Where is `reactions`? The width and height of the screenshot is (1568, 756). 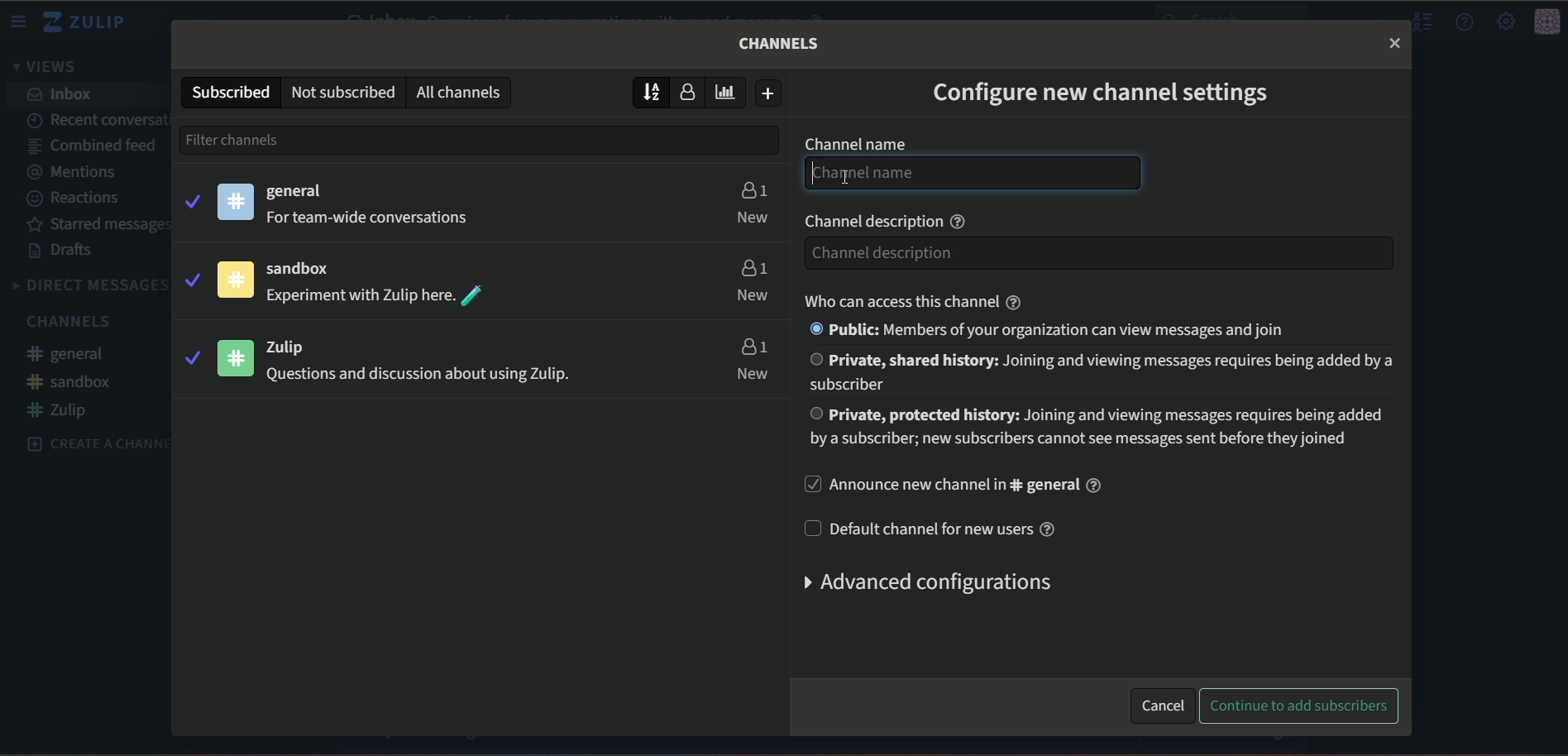 reactions is located at coordinates (76, 199).